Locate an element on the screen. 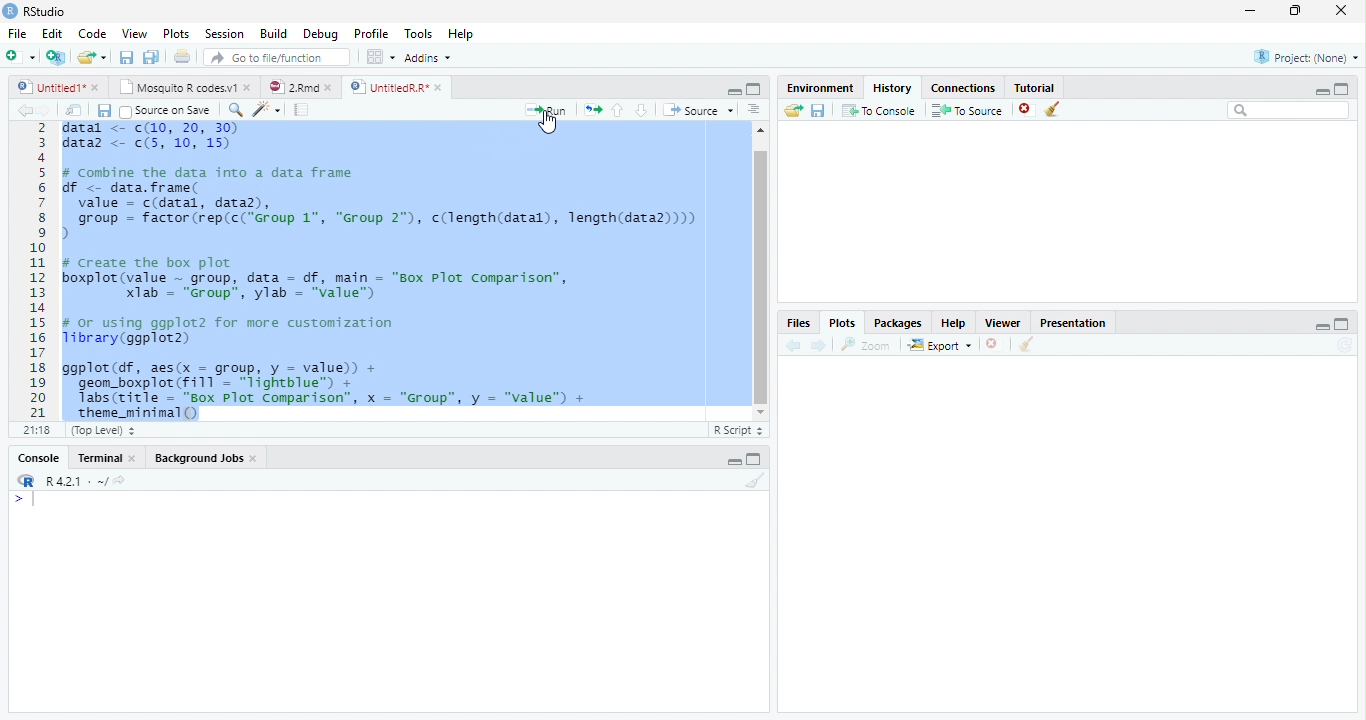 This screenshot has height=720, width=1366. close is located at coordinates (254, 458).